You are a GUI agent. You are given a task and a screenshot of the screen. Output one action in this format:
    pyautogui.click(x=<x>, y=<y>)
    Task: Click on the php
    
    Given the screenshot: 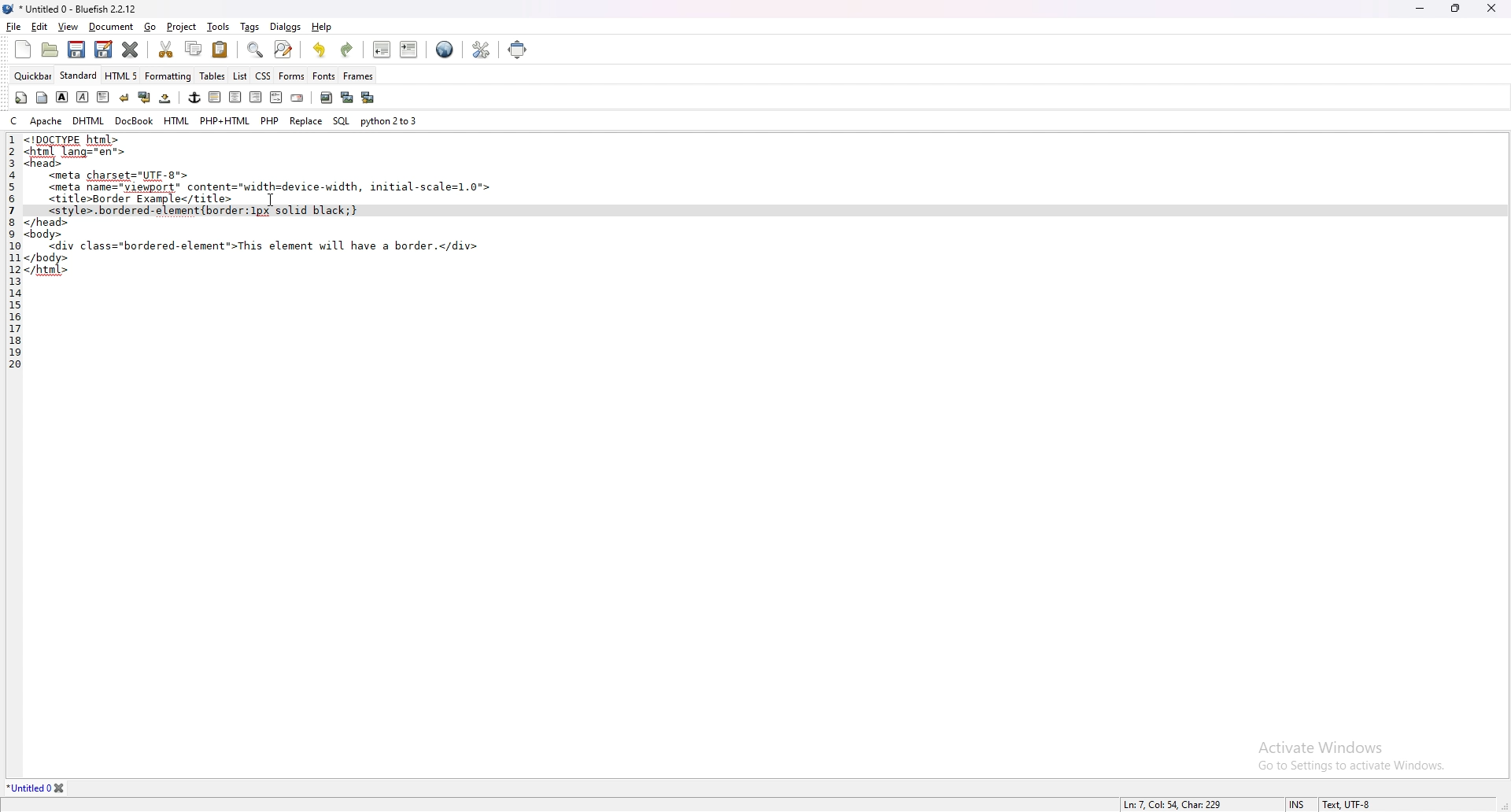 What is the action you would take?
    pyautogui.click(x=269, y=119)
    